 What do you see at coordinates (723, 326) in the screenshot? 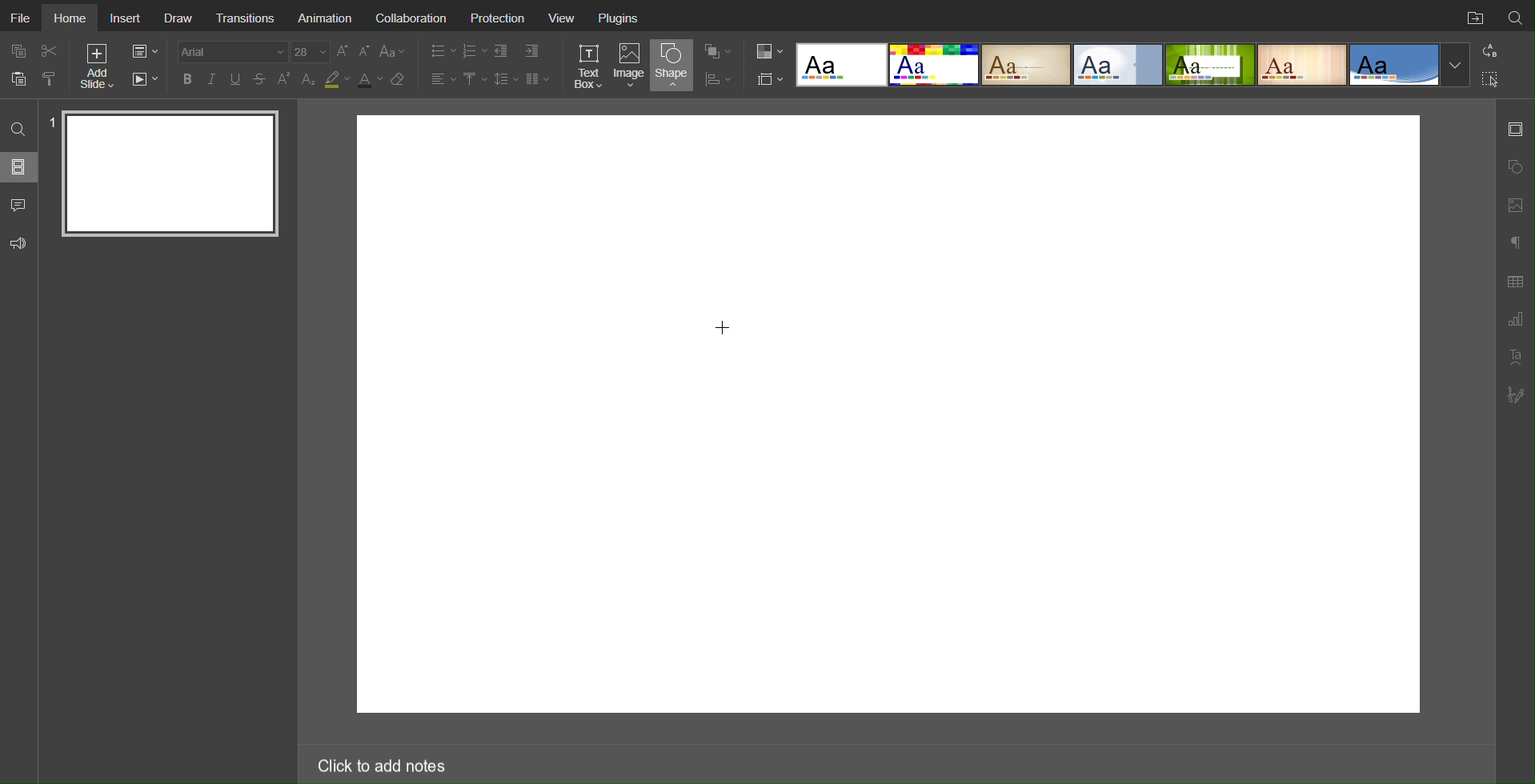
I see `Cursor` at bounding box center [723, 326].